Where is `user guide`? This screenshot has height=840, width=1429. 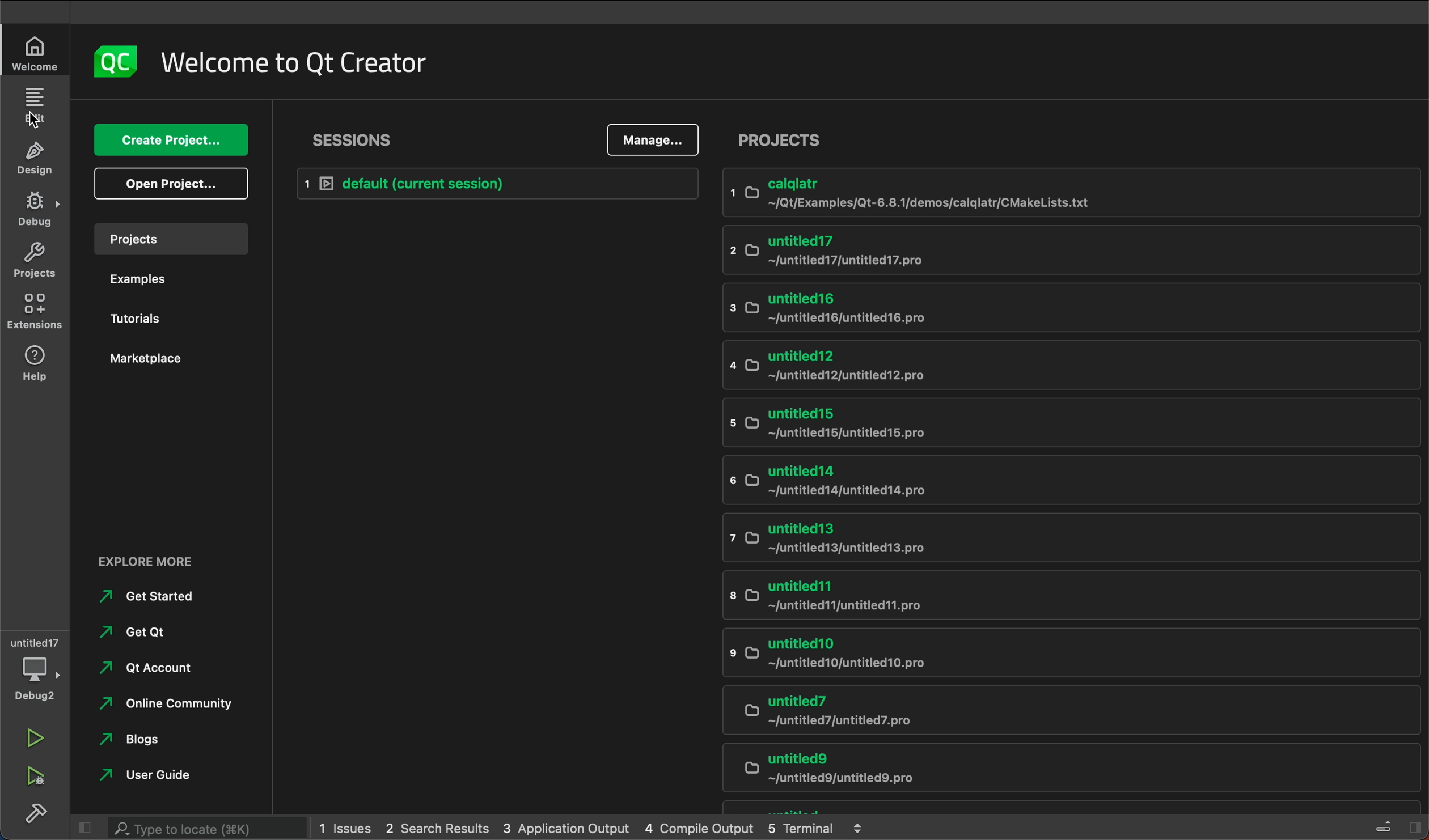
user guide is located at coordinates (142, 772).